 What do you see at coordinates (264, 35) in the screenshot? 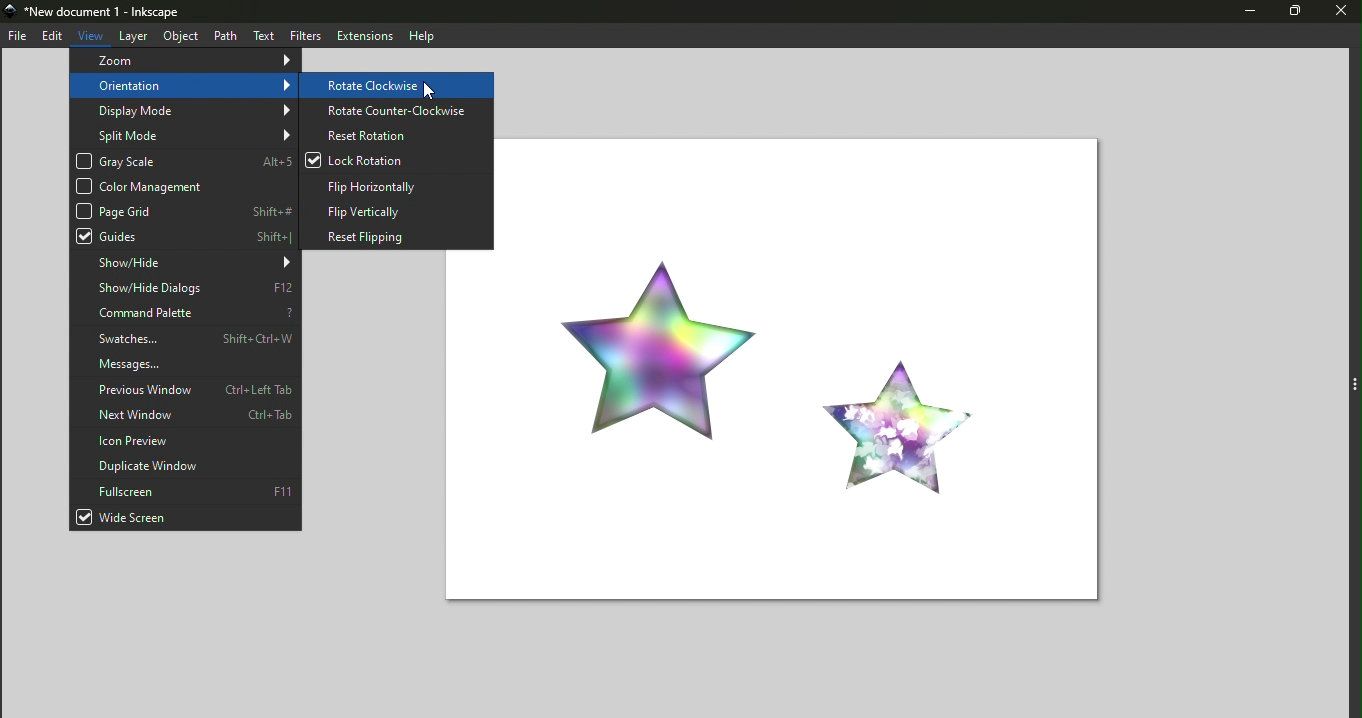
I see `Text` at bounding box center [264, 35].